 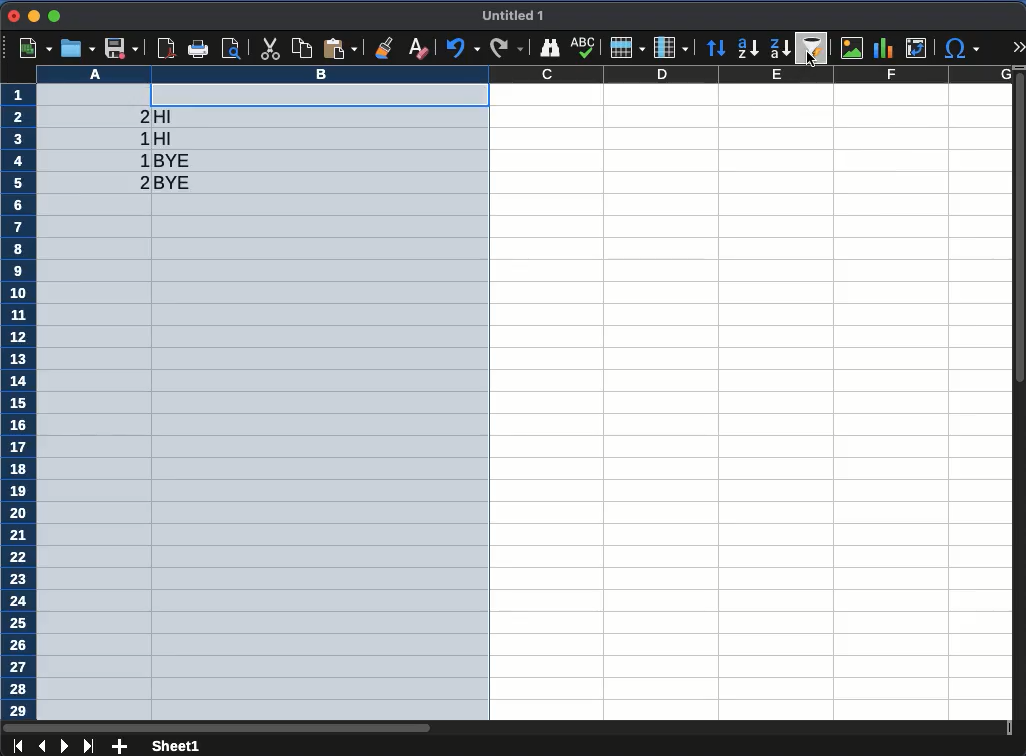 I want to click on pdf viewer, so click(x=235, y=49).